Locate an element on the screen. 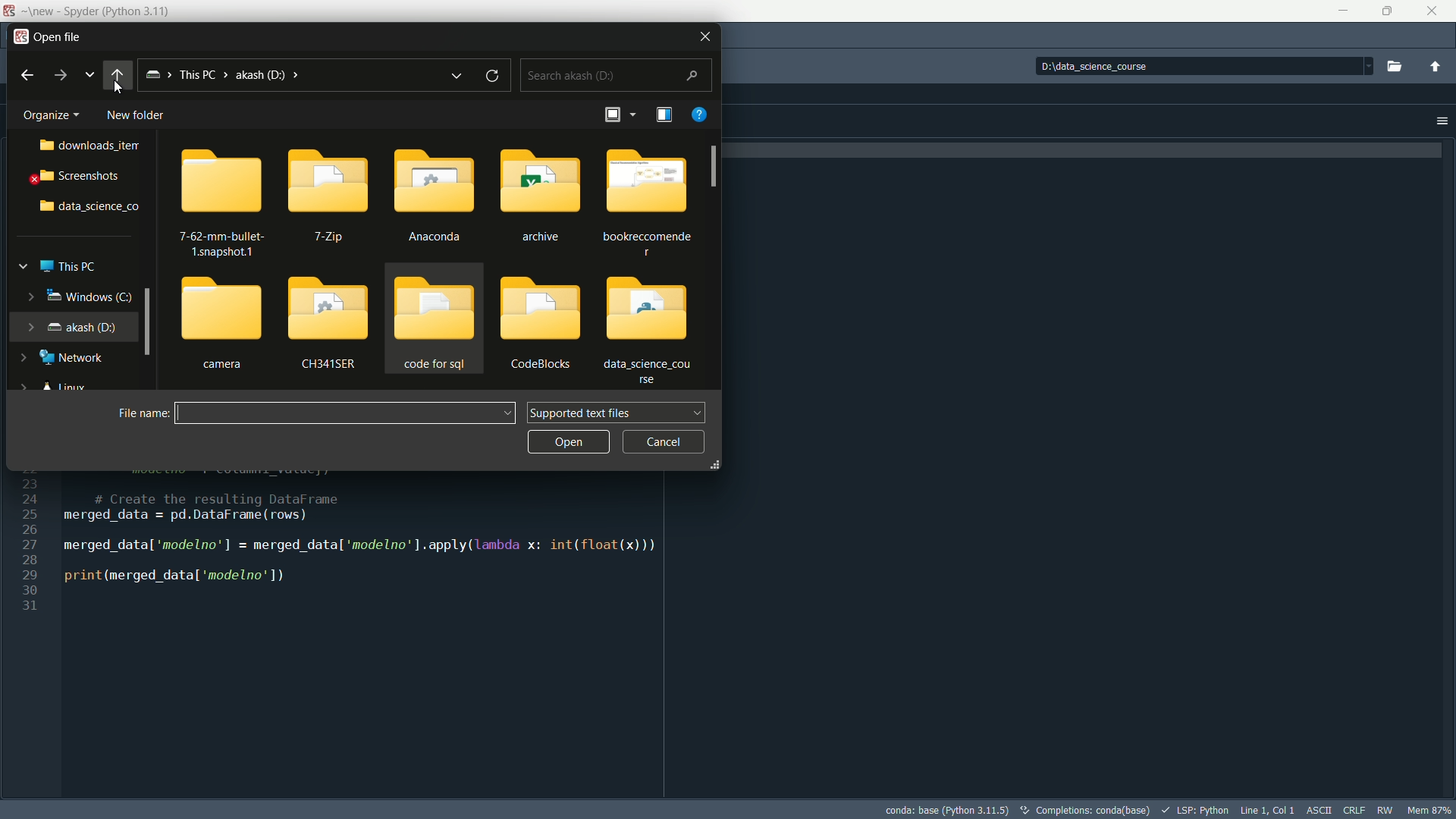 The width and height of the screenshot is (1456, 819). supported text files is located at coordinates (614, 413).